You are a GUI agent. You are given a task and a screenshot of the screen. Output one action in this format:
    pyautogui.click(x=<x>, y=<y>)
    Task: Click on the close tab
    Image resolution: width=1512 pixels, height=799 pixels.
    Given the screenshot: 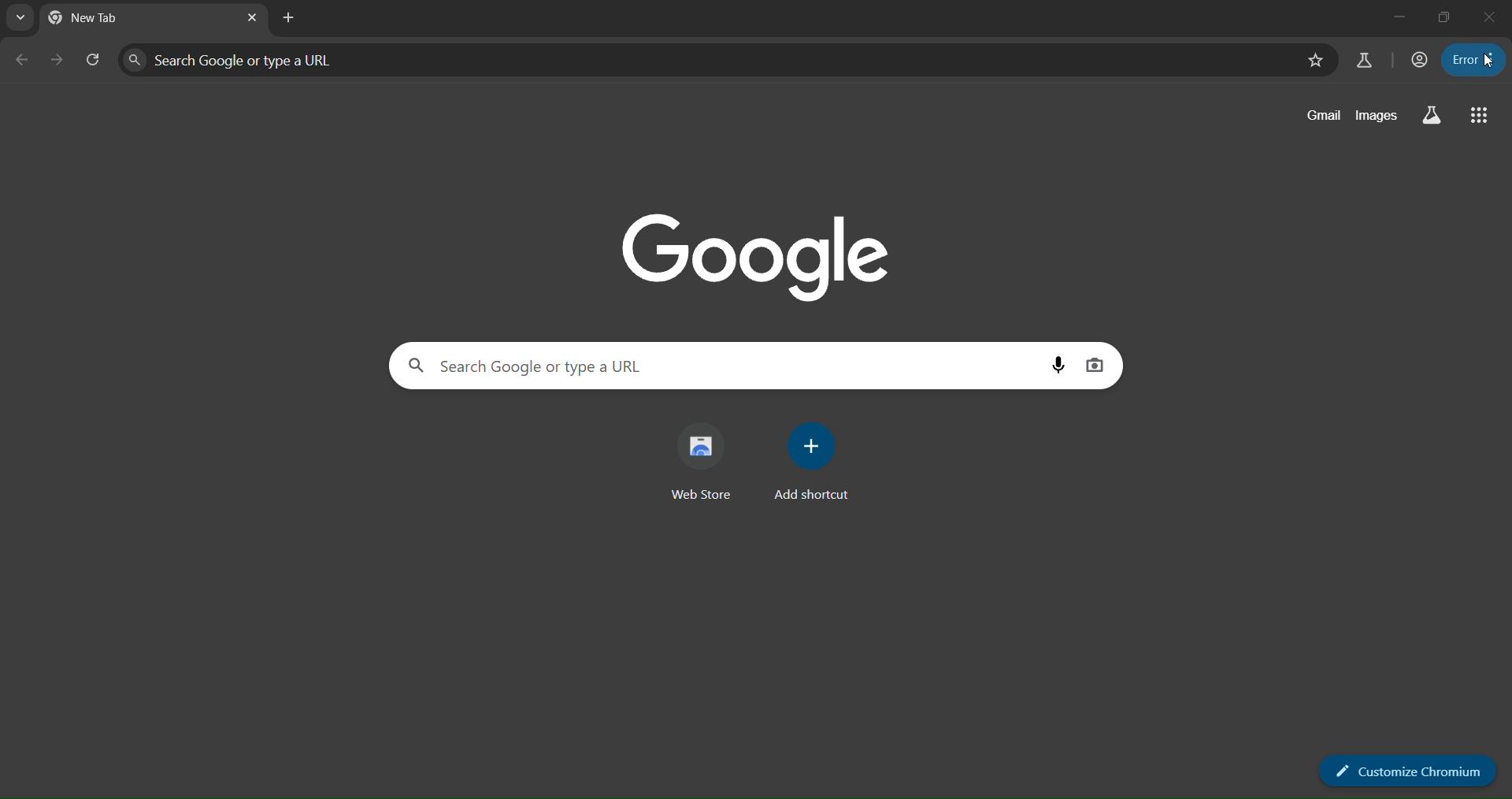 What is the action you would take?
    pyautogui.click(x=254, y=16)
    